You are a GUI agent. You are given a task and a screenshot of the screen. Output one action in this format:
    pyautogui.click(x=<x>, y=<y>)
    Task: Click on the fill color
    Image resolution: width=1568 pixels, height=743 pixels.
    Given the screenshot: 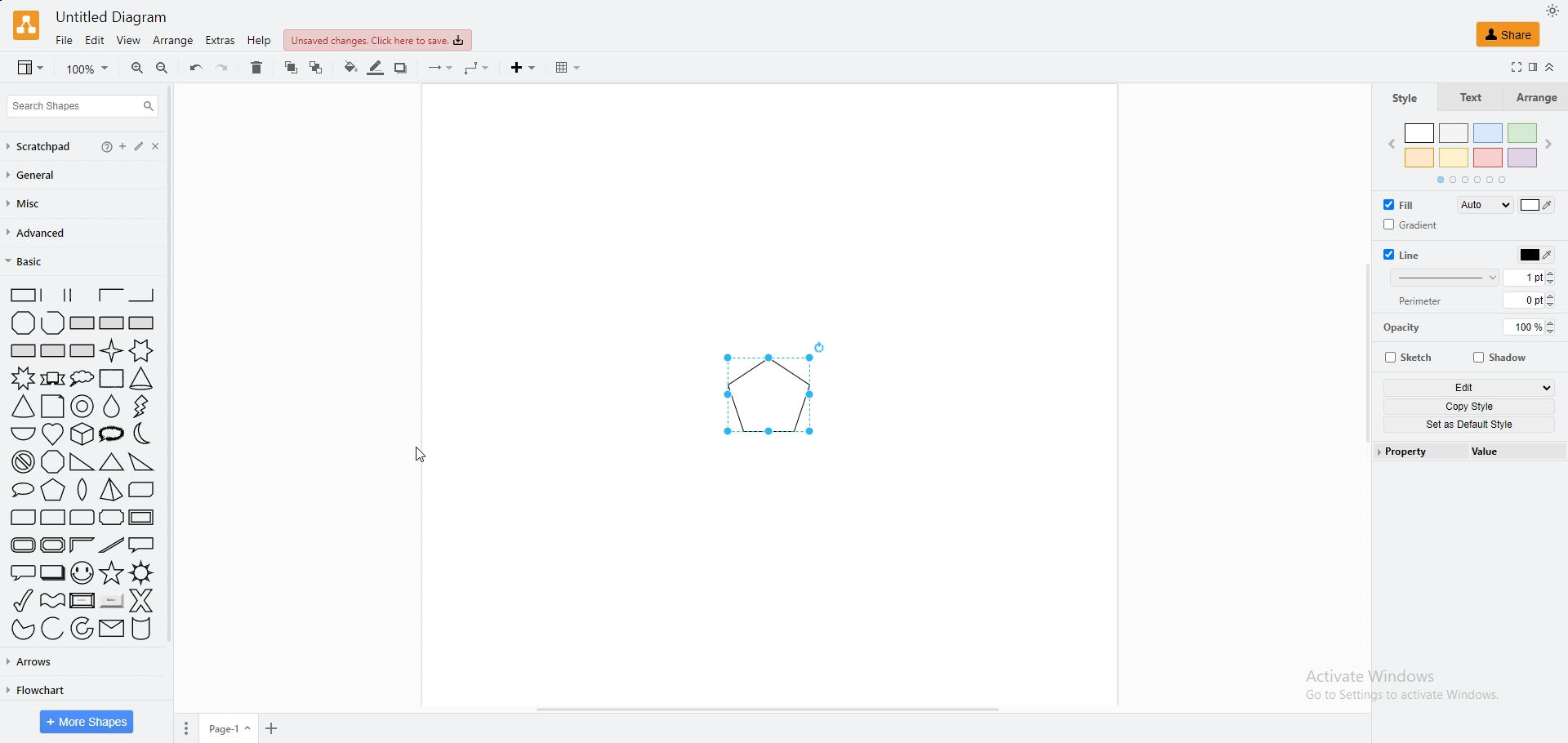 What is the action you would take?
    pyautogui.click(x=1537, y=205)
    